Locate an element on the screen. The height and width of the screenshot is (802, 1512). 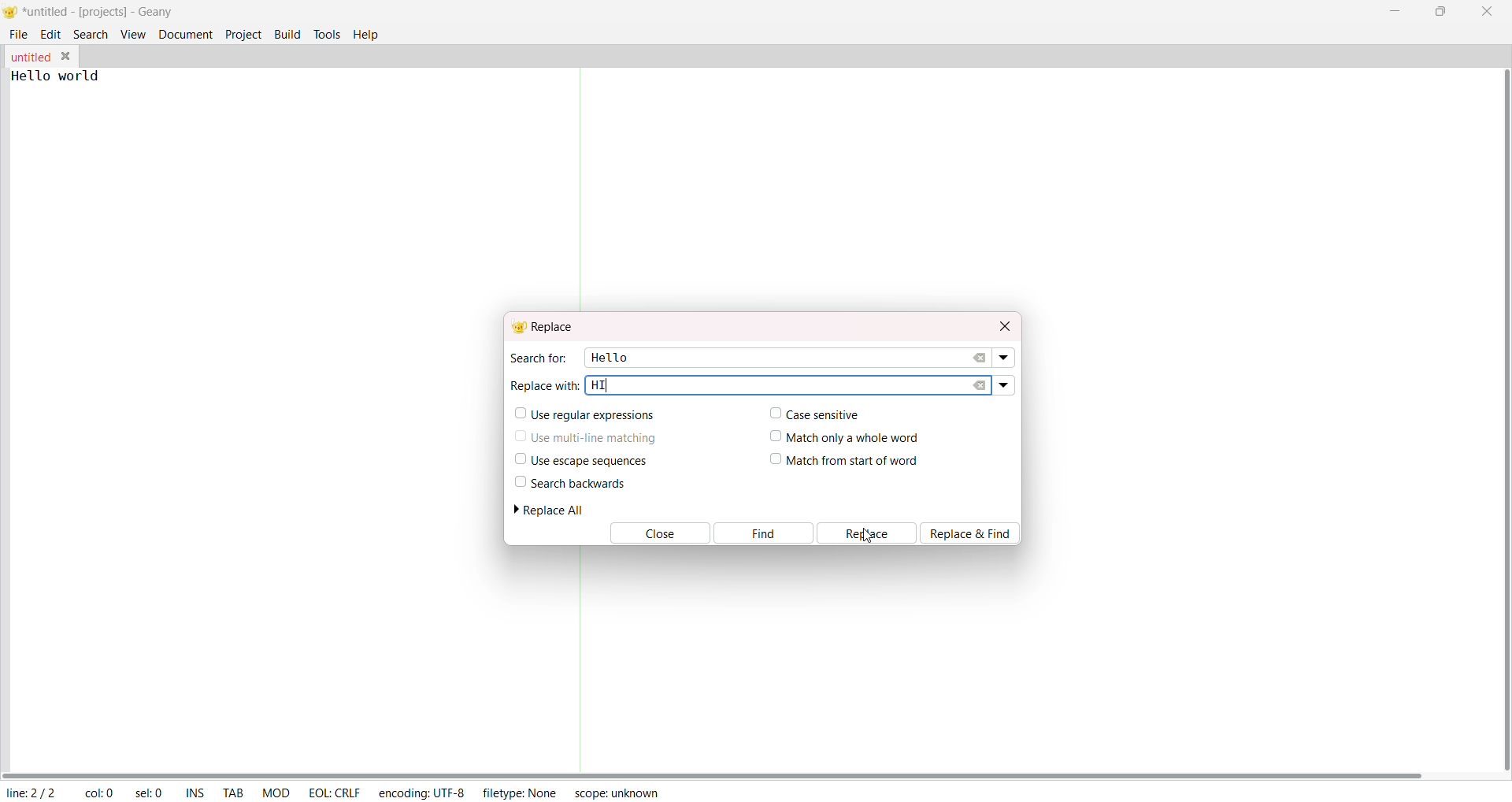
use escape sequences is located at coordinates (578, 460).